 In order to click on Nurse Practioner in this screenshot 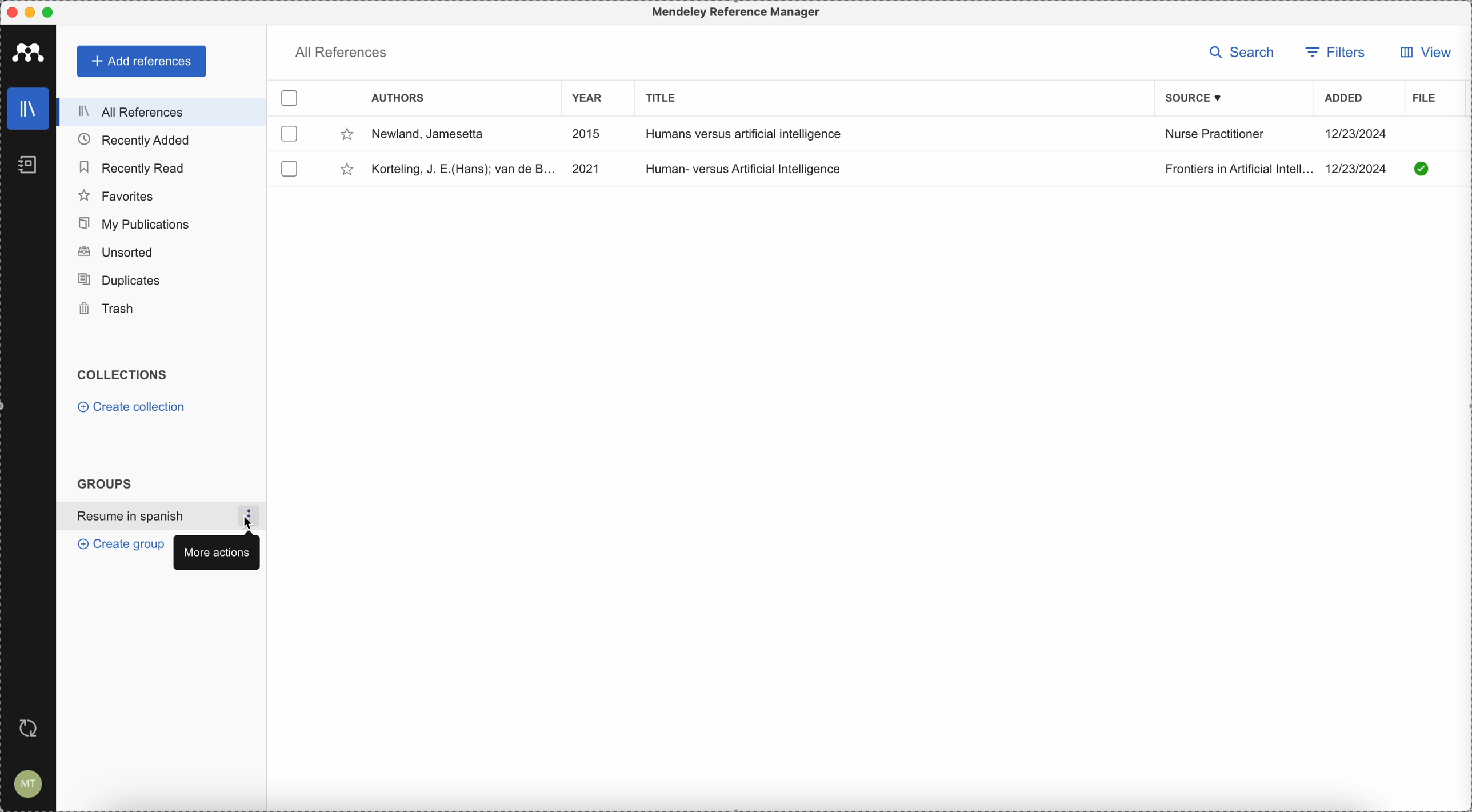, I will do `click(1215, 136)`.